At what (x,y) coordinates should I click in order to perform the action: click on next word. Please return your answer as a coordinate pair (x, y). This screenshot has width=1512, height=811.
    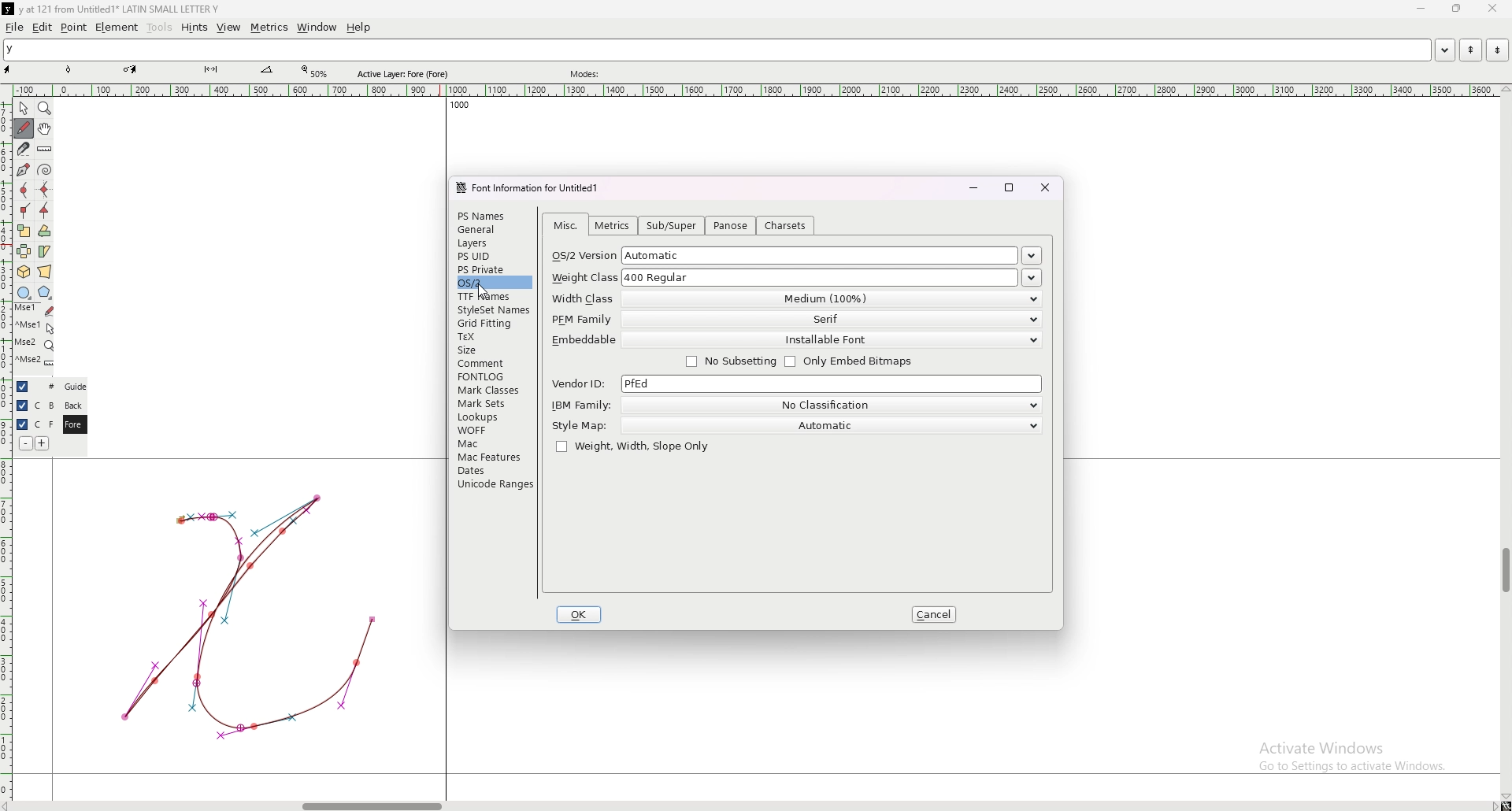
    Looking at the image, I should click on (1494, 50).